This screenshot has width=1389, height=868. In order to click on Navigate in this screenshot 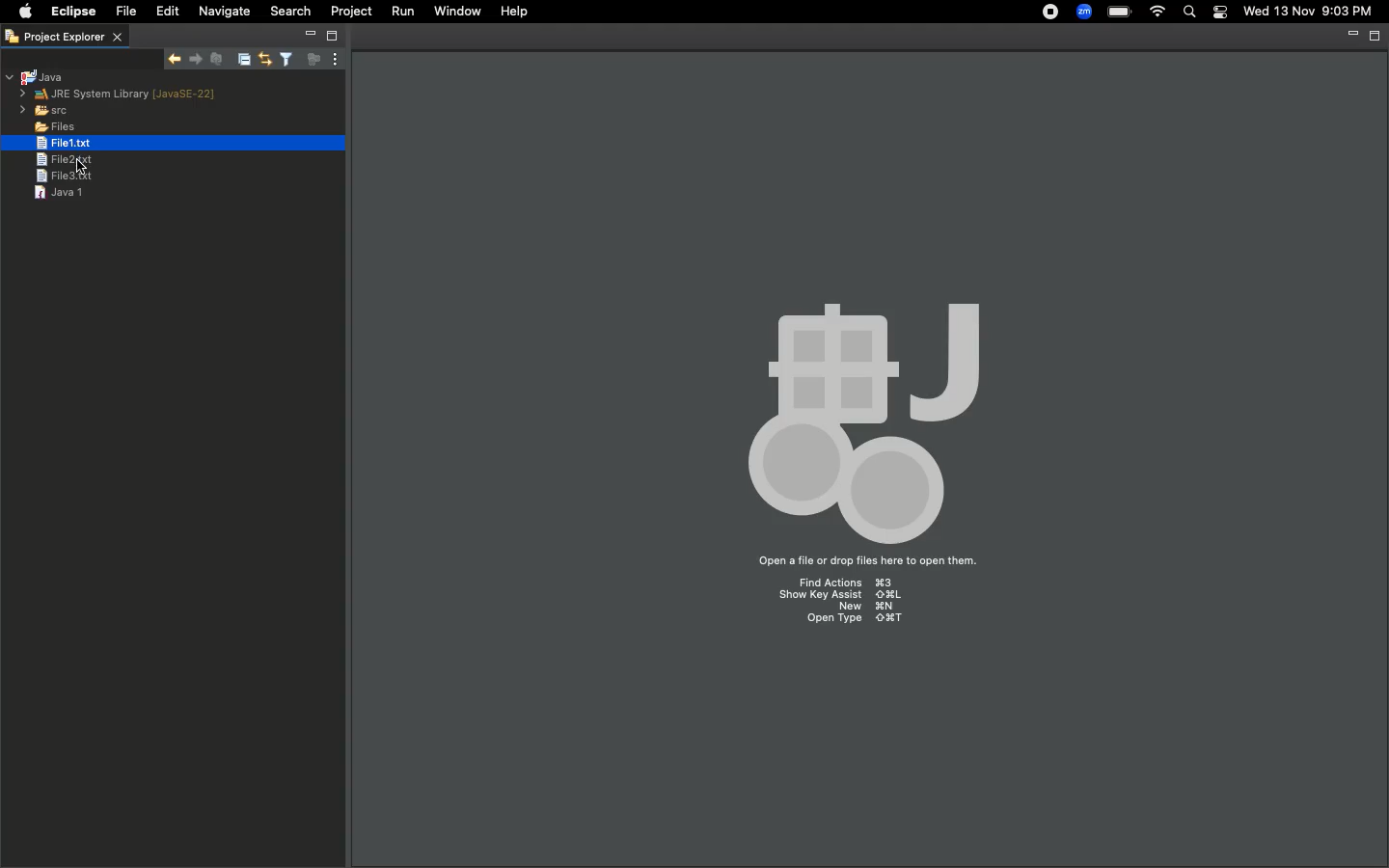, I will do `click(225, 12)`.